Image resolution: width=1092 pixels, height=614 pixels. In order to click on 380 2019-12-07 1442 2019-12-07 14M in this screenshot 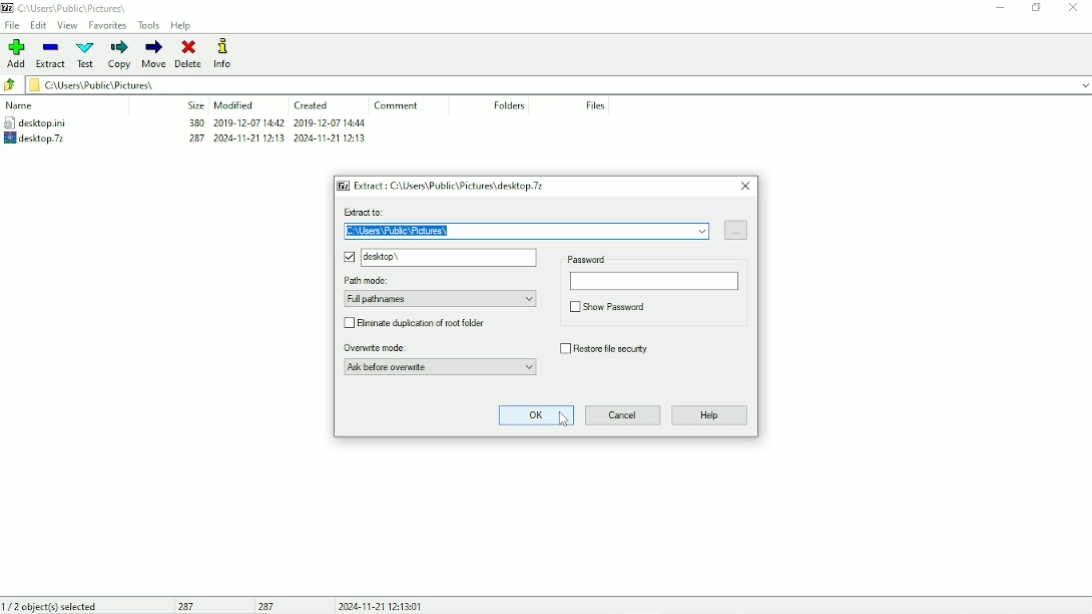, I will do `click(275, 124)`.